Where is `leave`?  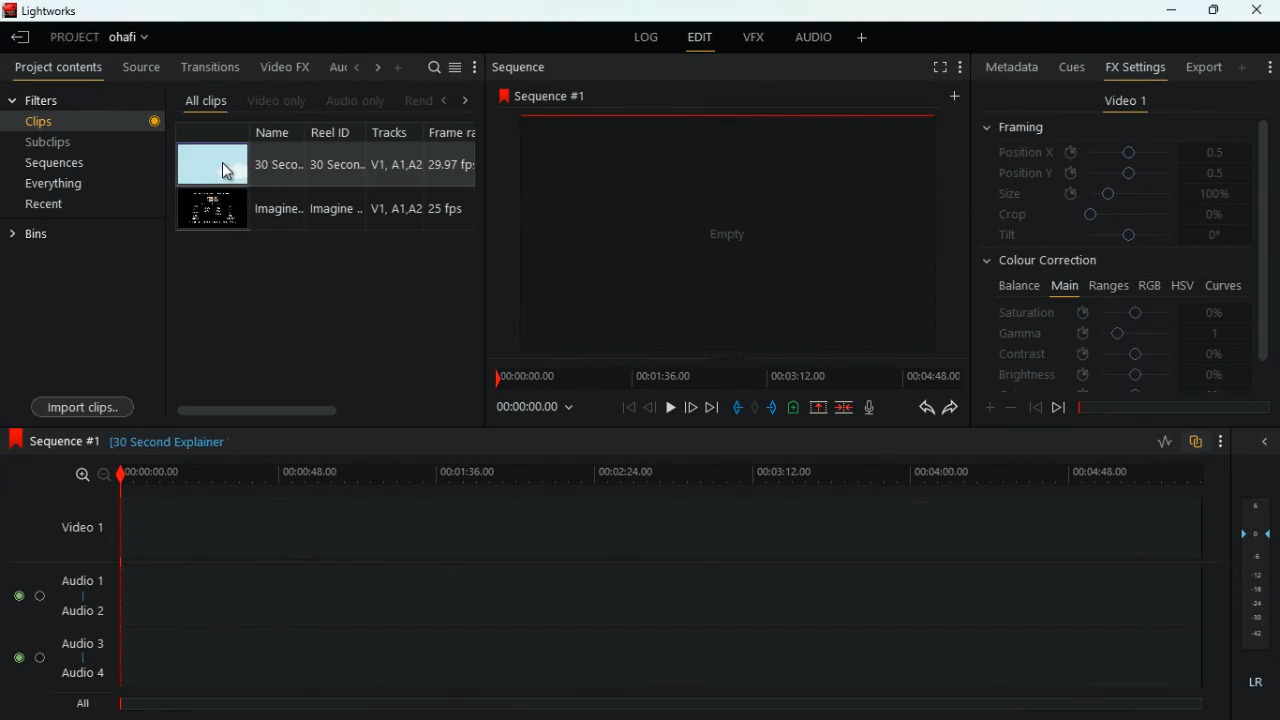
leave is located at coordinates (22, 36).